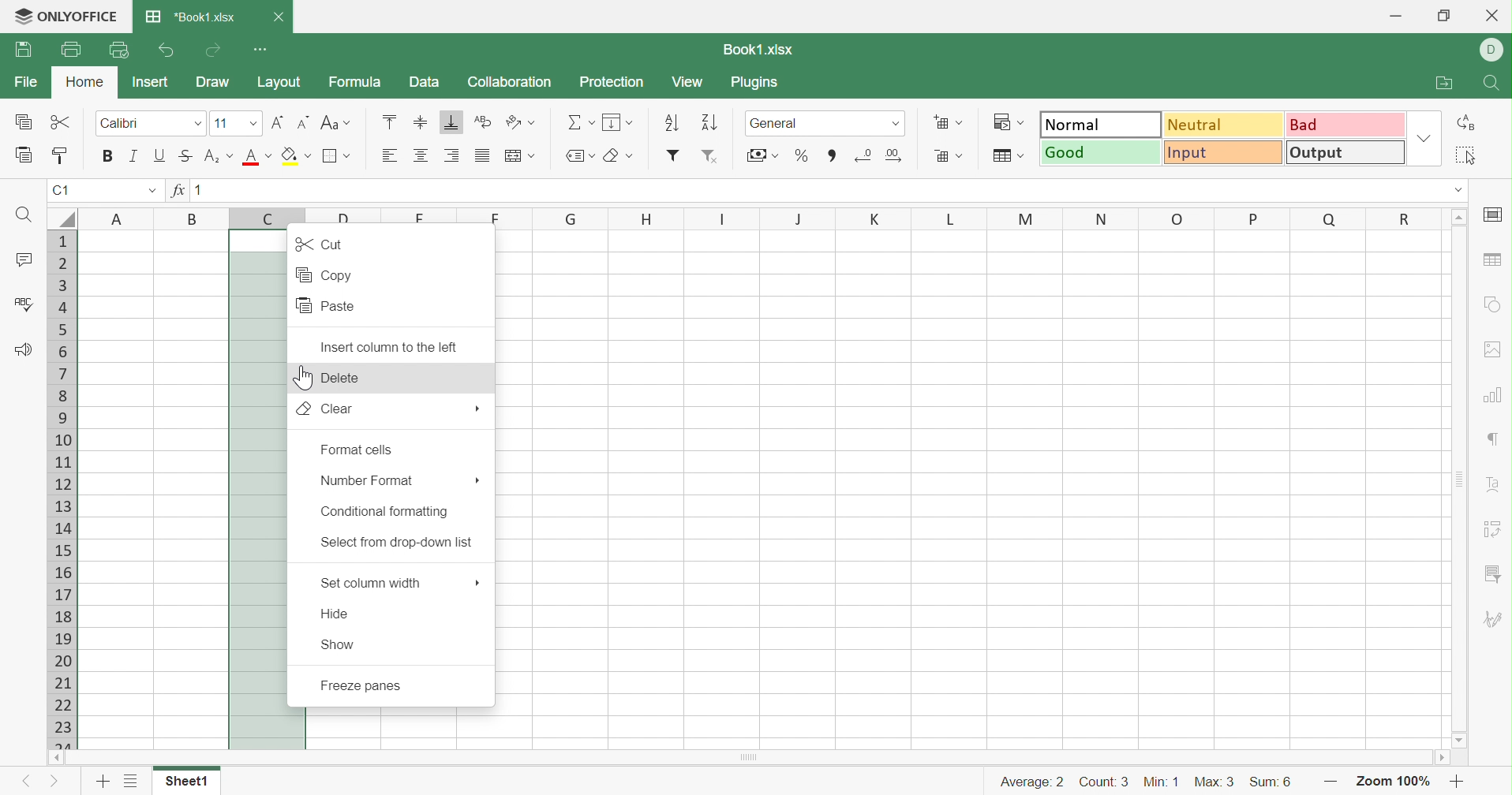  What do you see at coordinates (453, 122) in the screenshot?
I see `Align Bottom` at bounding box center [453, 122].